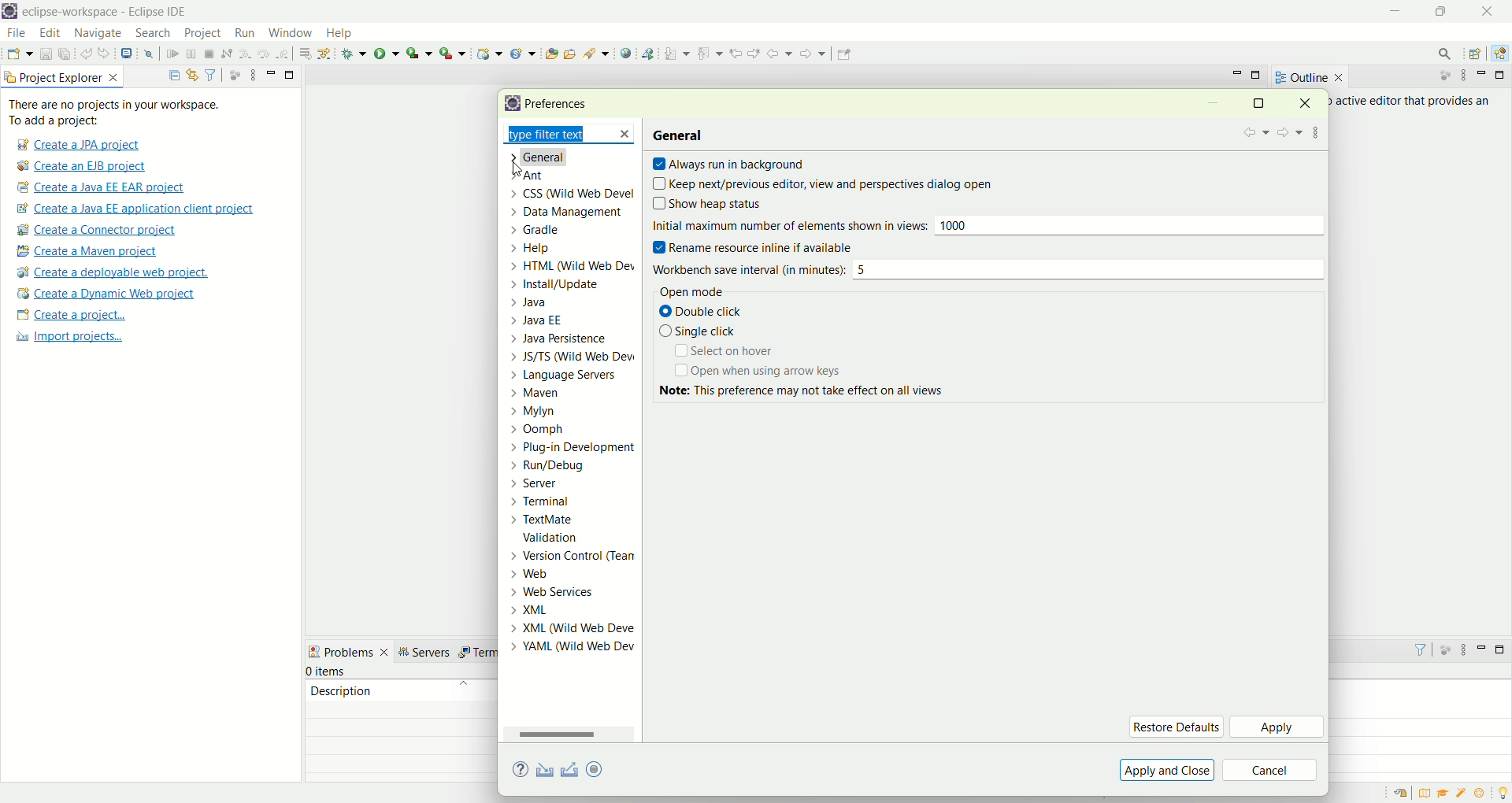  I want to click on create a new Java servlet, so click(527, 54).